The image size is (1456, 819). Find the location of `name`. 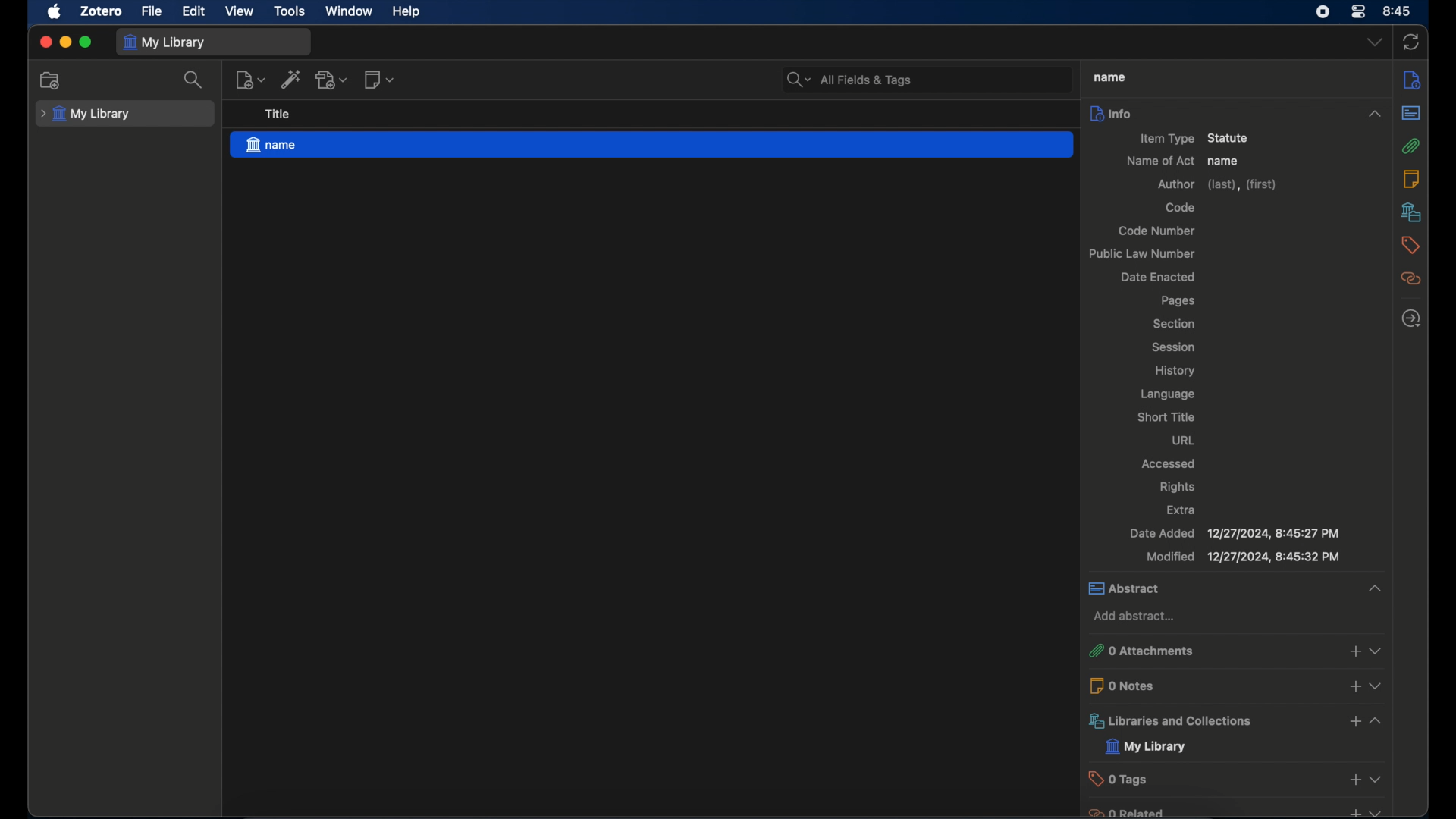

name is located at coordinates (1224, 162).